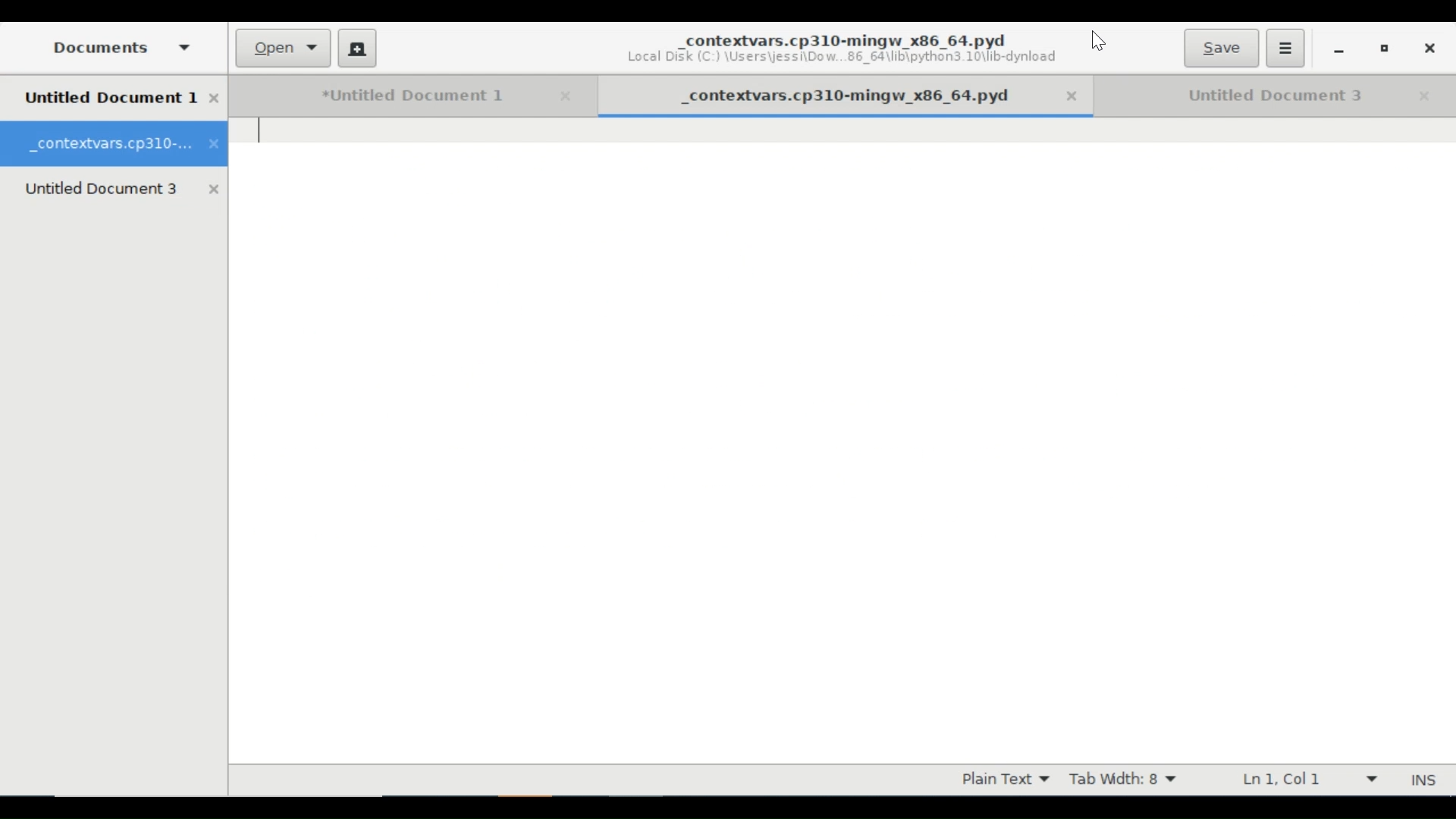  What do you see at coordinates (846, 38) in the screenshot?
I see `_contextvars.cp310-minger_xc86_64.pyd` at bounding box center [846, 38].